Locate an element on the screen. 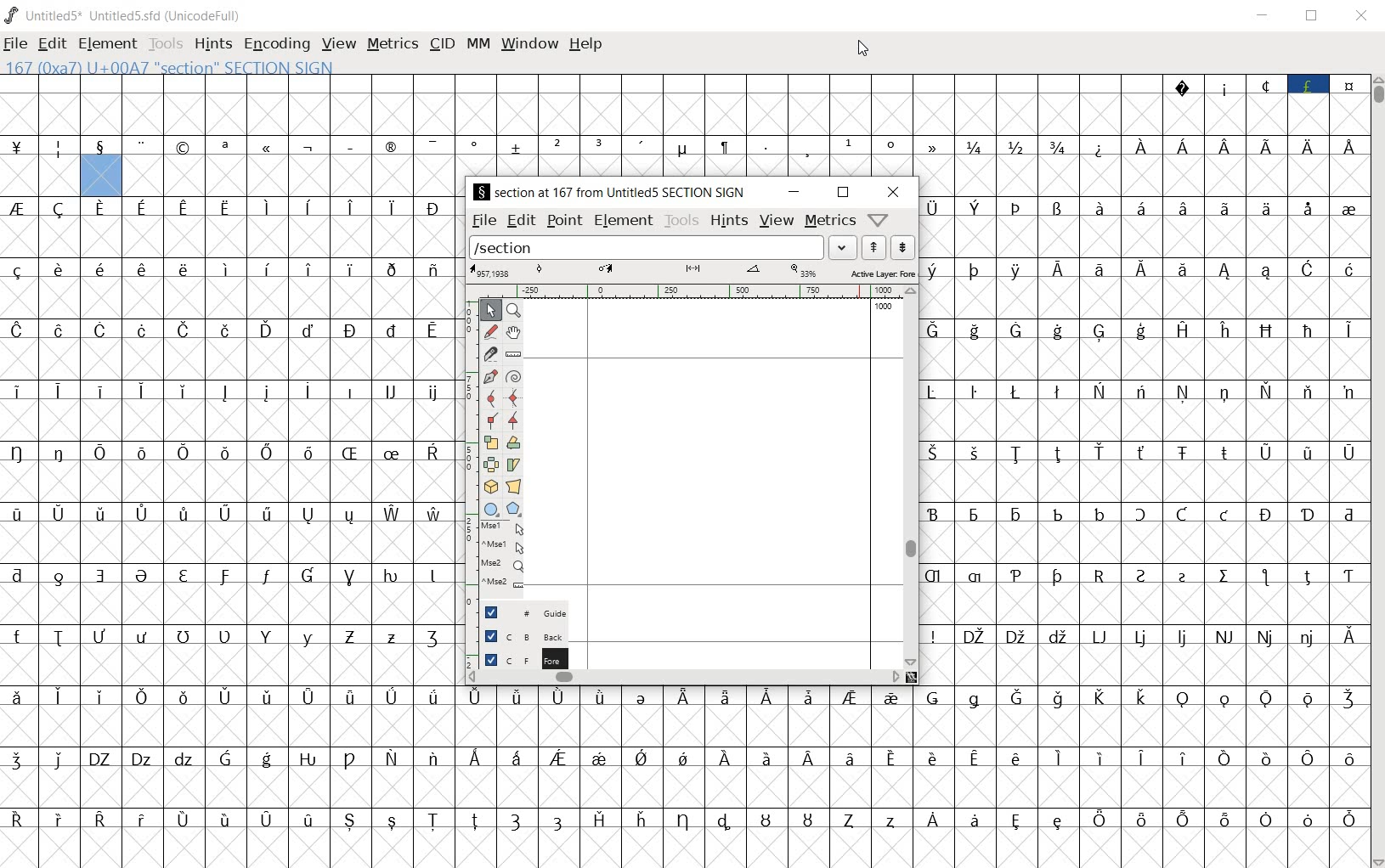 The height and width of the screenshot is (868, 1385). special letters is located at coordinates (1143, 574).